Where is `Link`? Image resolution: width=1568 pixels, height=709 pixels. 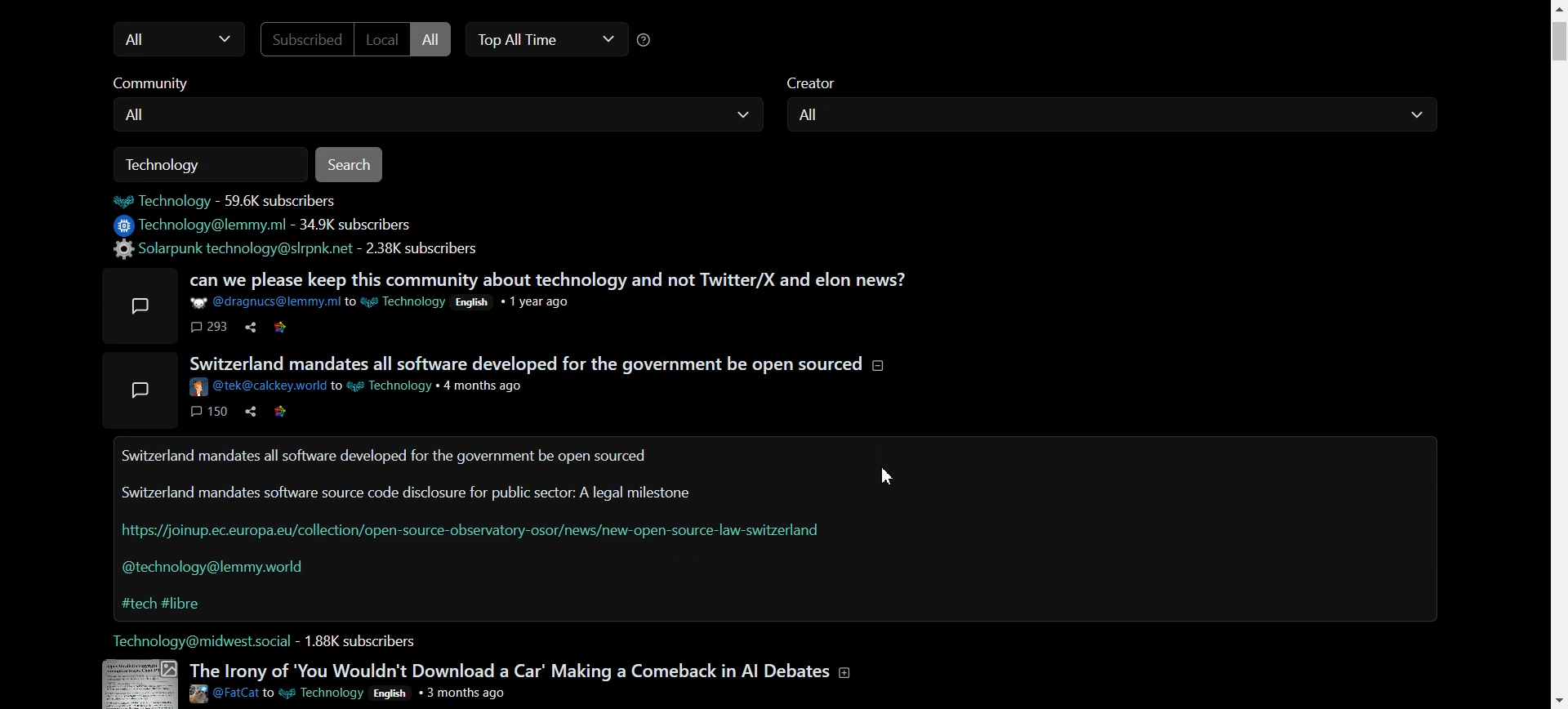 Link is located at coordinates (281, 327).